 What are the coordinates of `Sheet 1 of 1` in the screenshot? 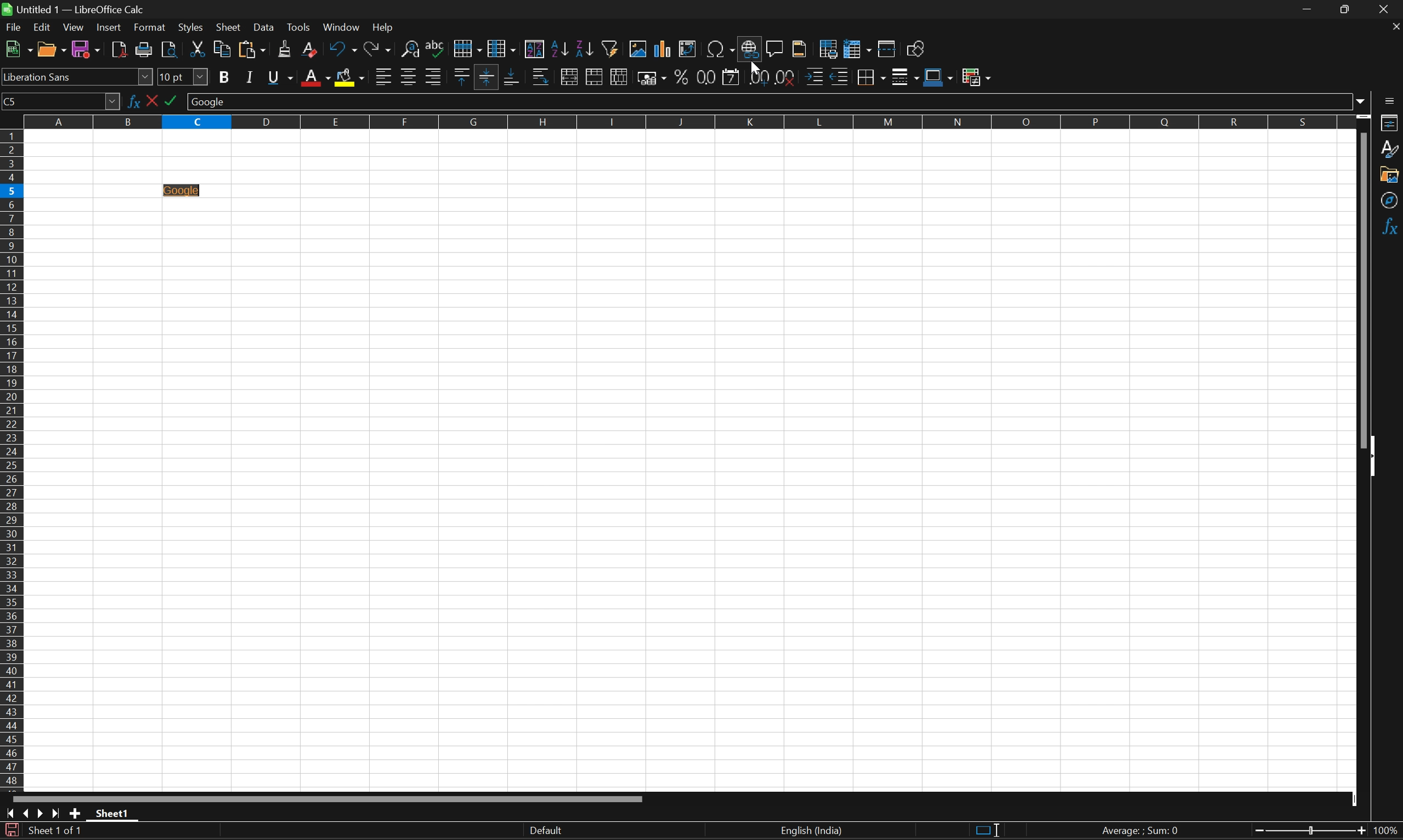 It's located at (57, 832).